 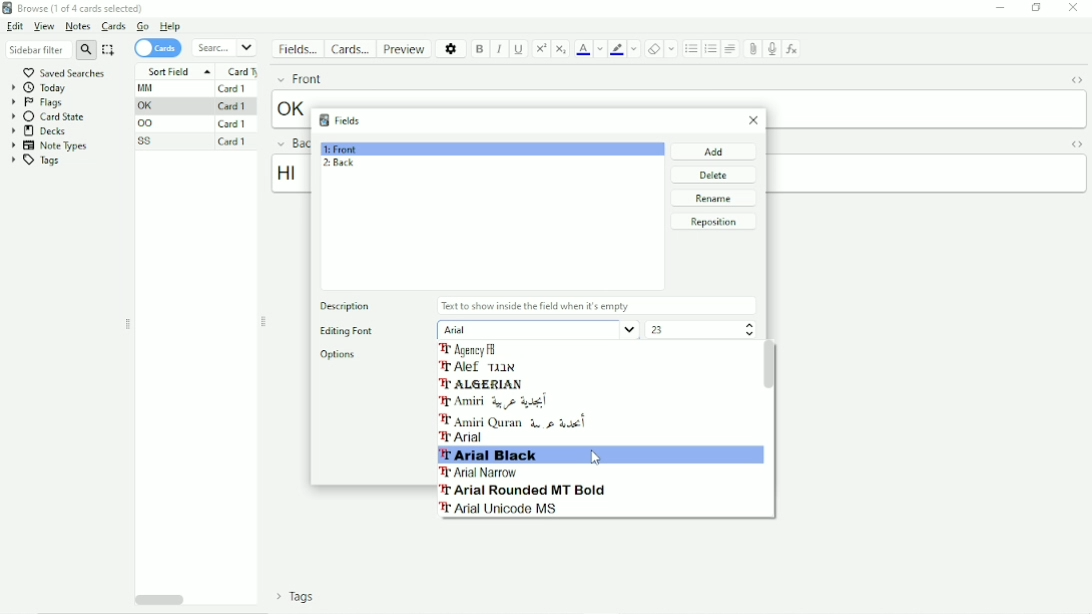 I want to click on Ordered list, so click(x=711, y=49).